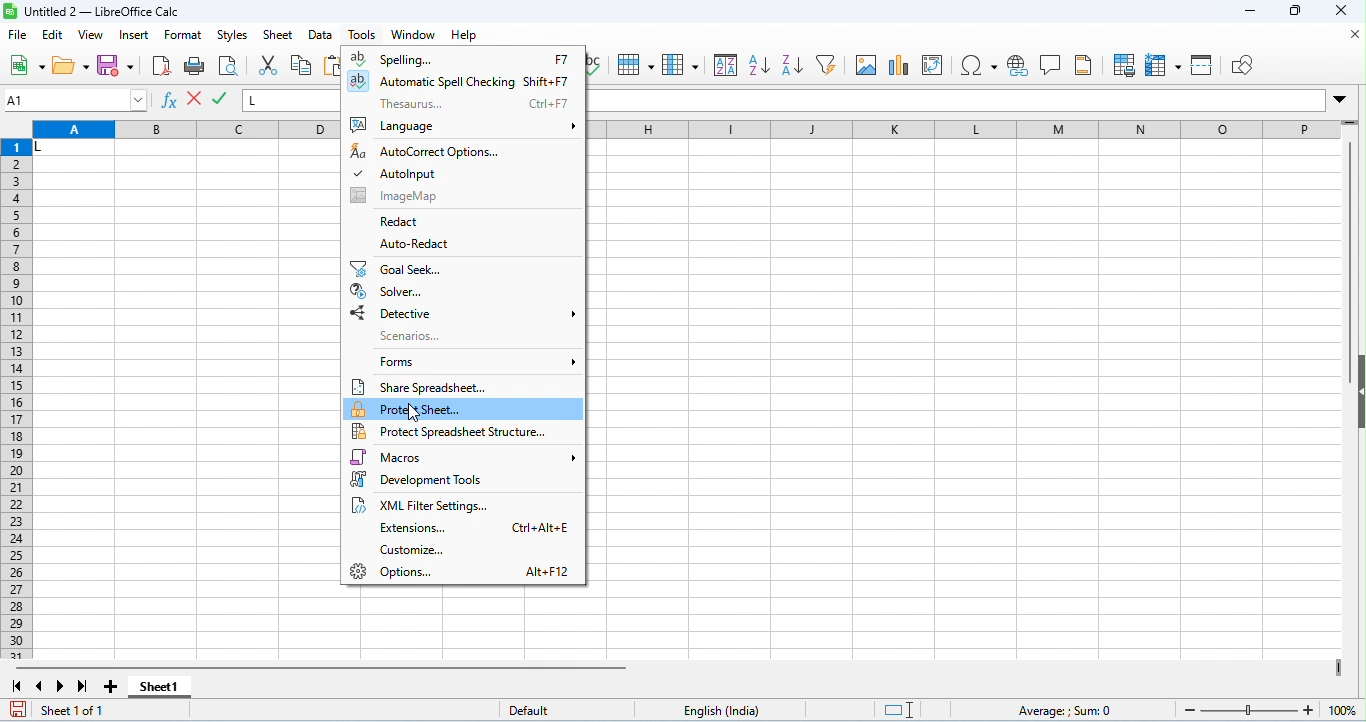 The image size is (1366, 722). Describe the element at coordinates (465, 37) in the screenshot. I see `help` at that location.